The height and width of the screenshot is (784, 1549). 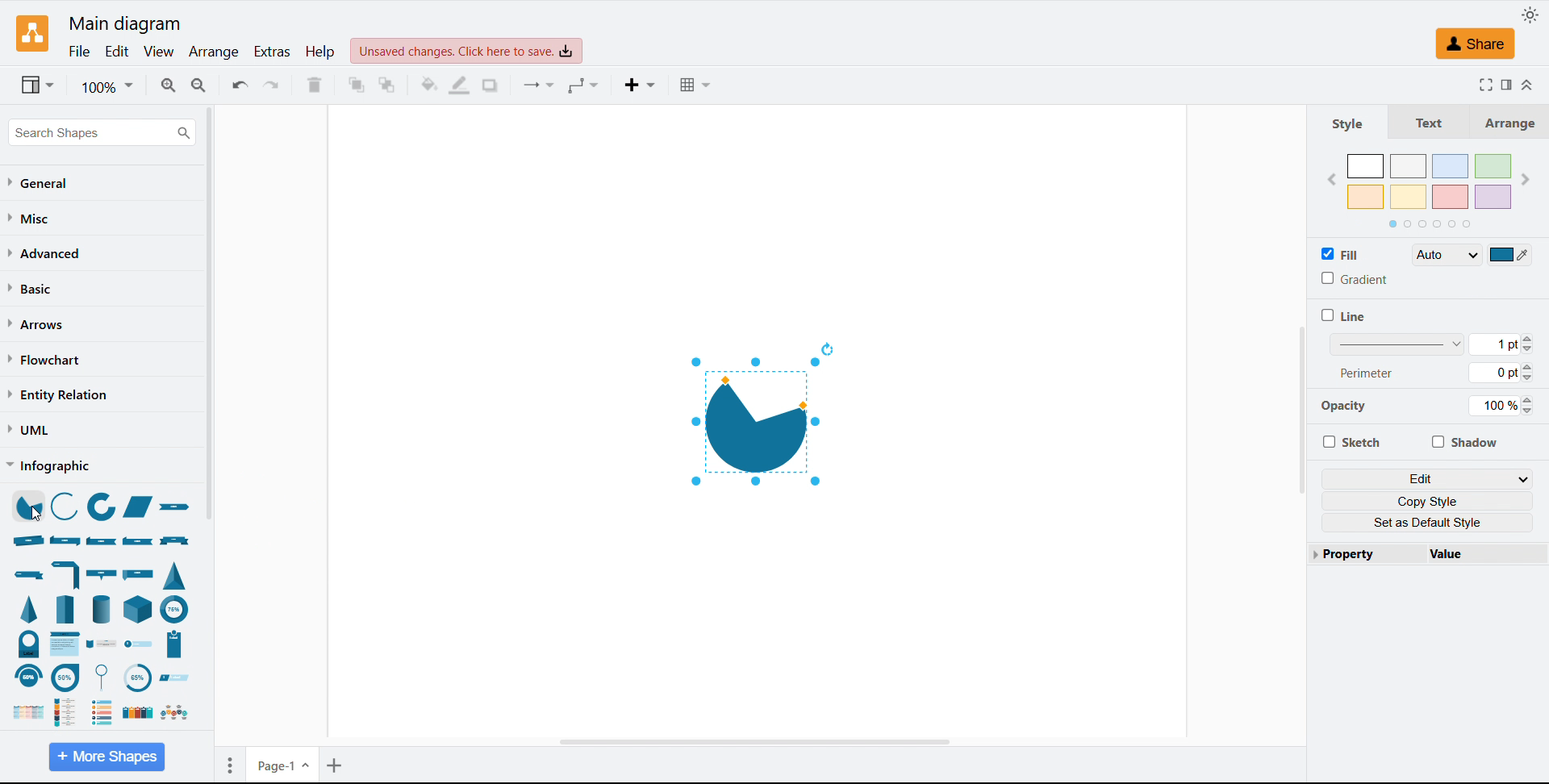 I want to click on flag, so click(x=136, y=575).